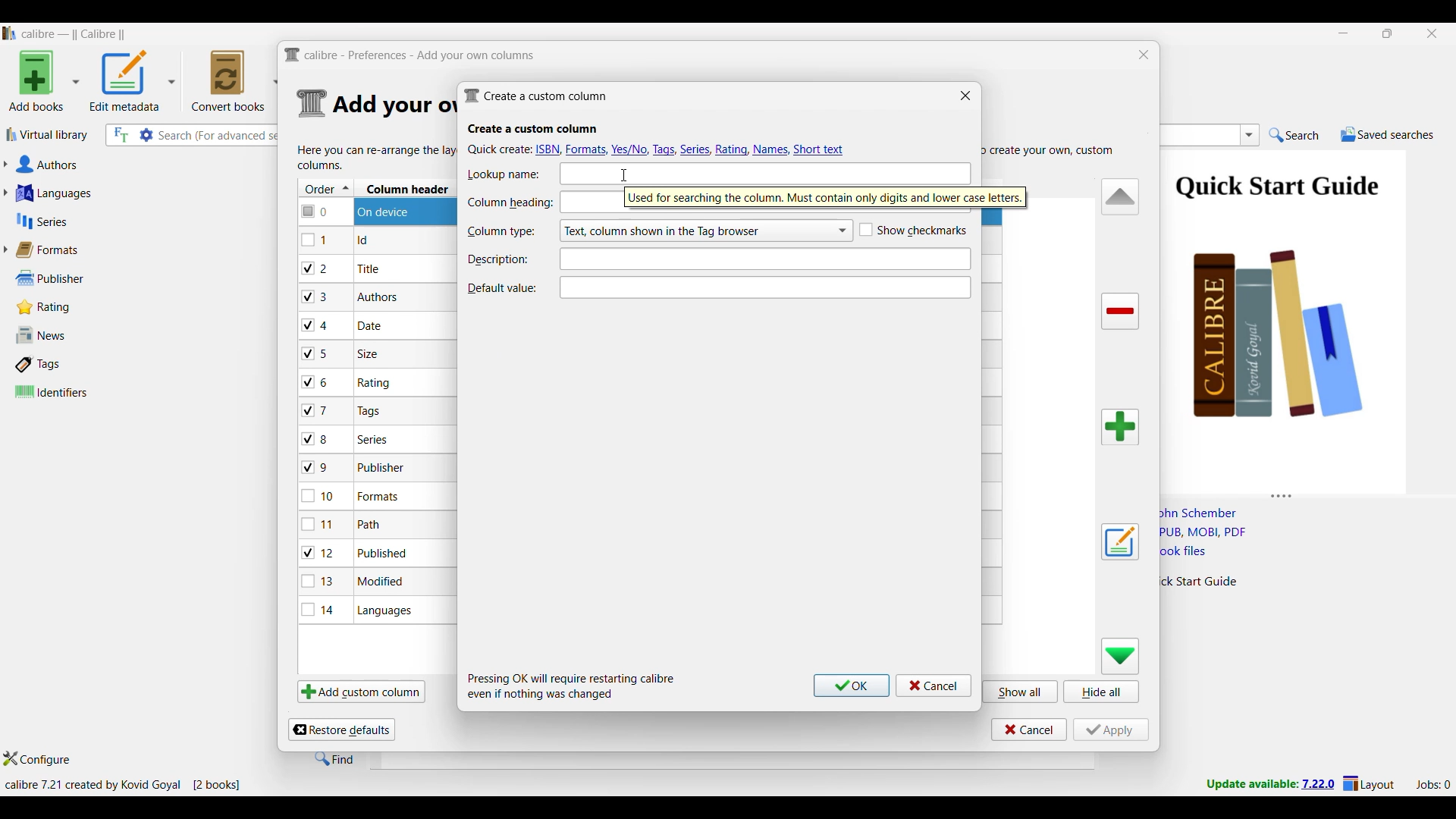 This screenshot has width=1456, height=819. I want to click on Add column, so click(1120, 427).